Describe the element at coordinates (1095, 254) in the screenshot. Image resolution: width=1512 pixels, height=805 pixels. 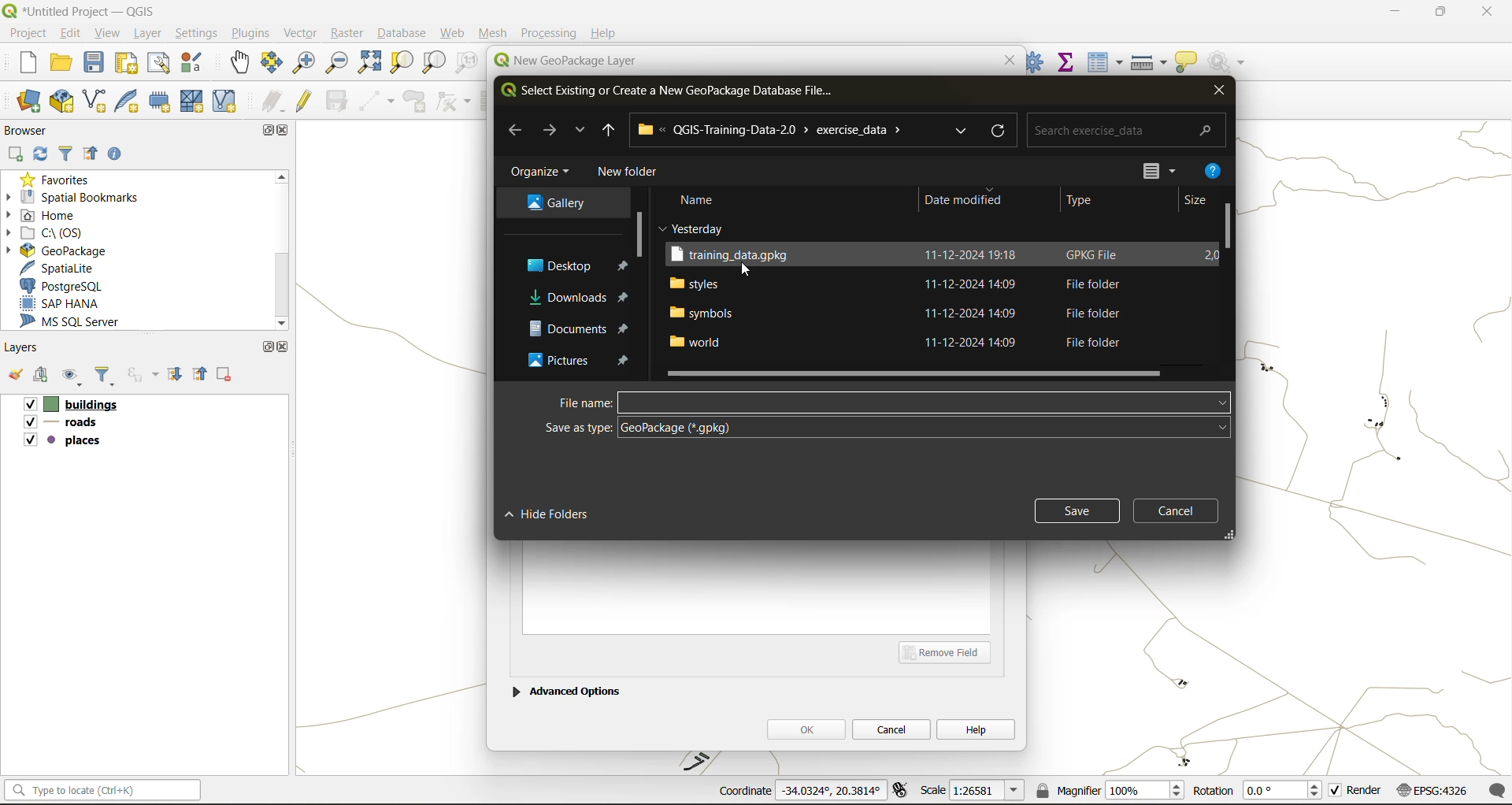
I see `GPKG File` at that location.